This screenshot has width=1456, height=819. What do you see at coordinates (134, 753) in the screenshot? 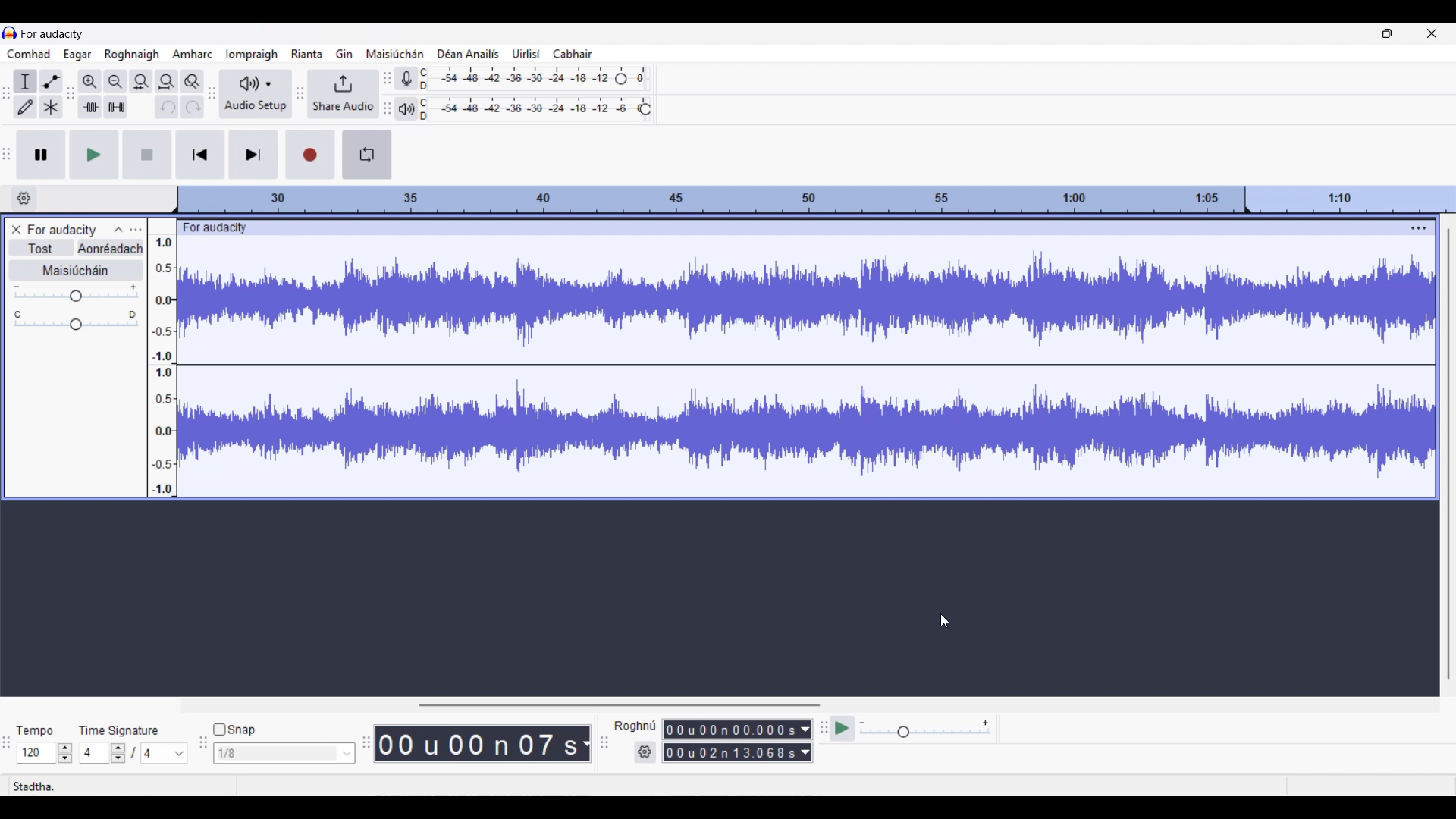
I see `4 /4` at bounding box center [134, 753].